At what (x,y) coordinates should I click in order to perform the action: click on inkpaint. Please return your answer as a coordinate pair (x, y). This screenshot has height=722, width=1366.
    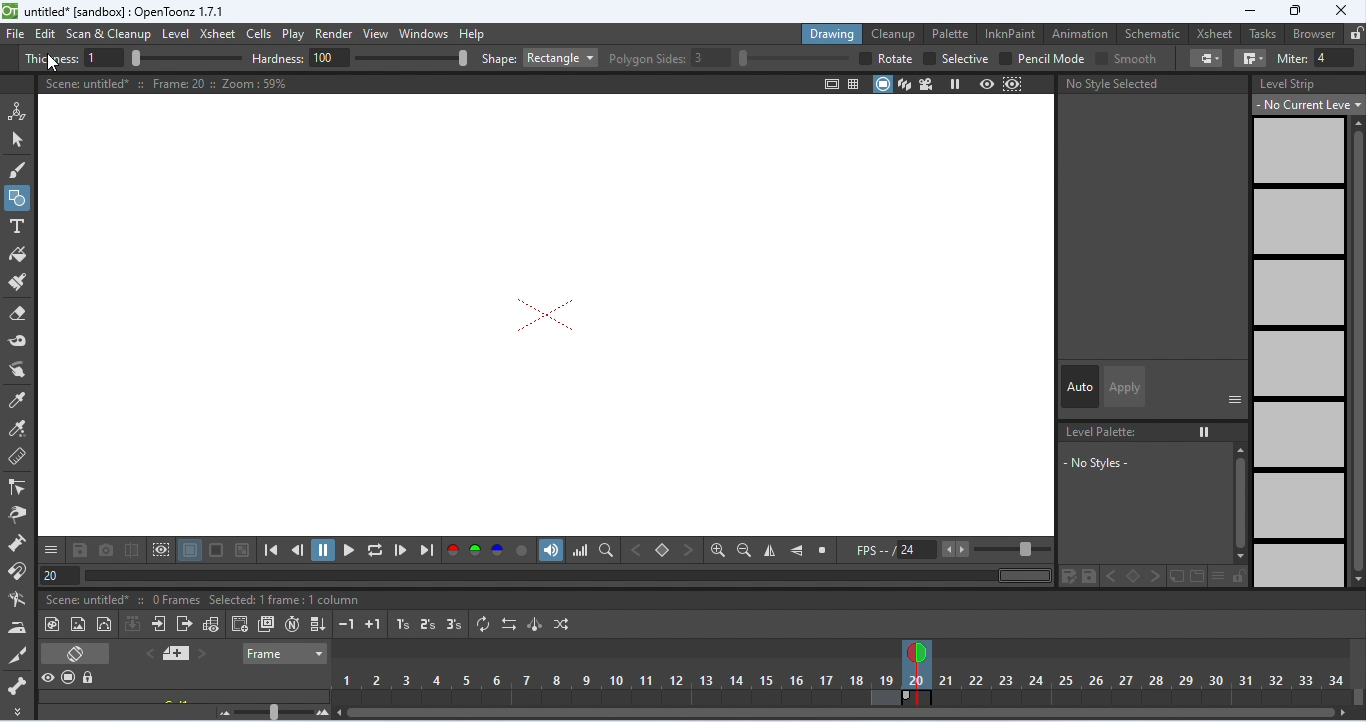
    Looking at the image, I should click on (1010, 33).